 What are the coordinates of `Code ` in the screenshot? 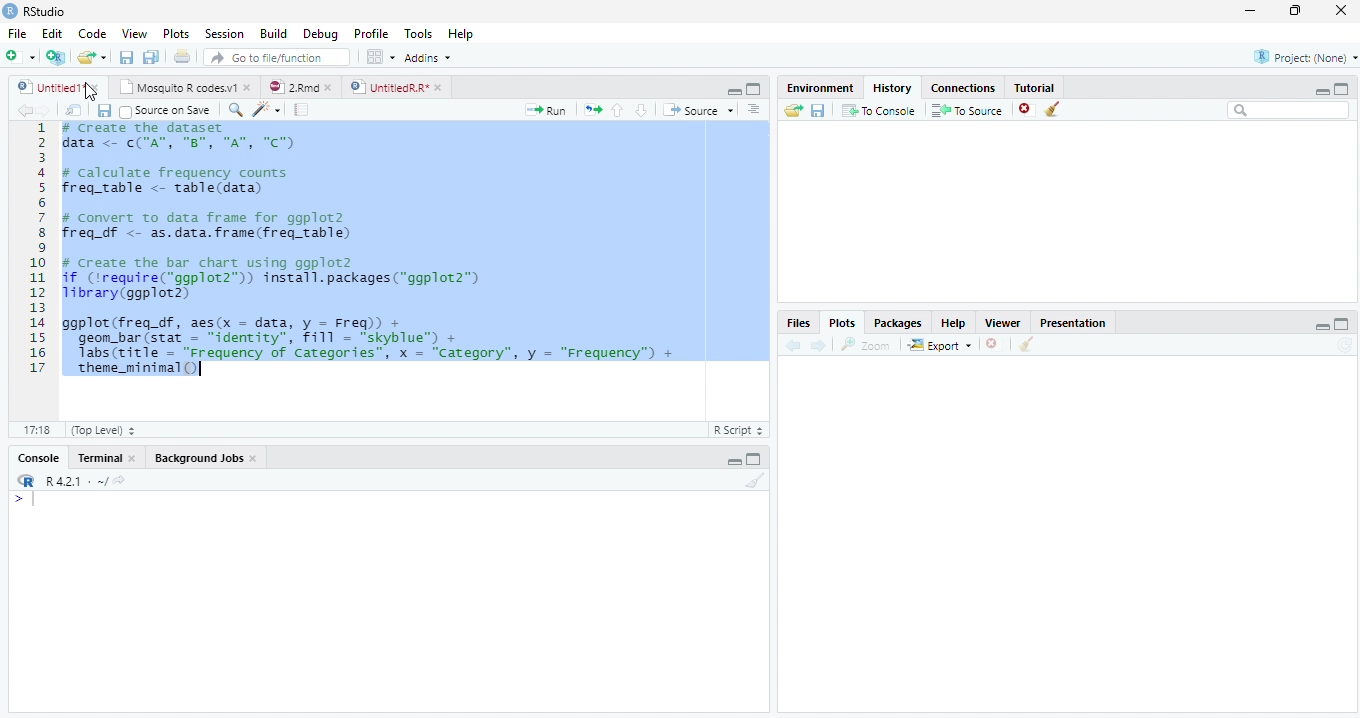 It's located at (269, 110).